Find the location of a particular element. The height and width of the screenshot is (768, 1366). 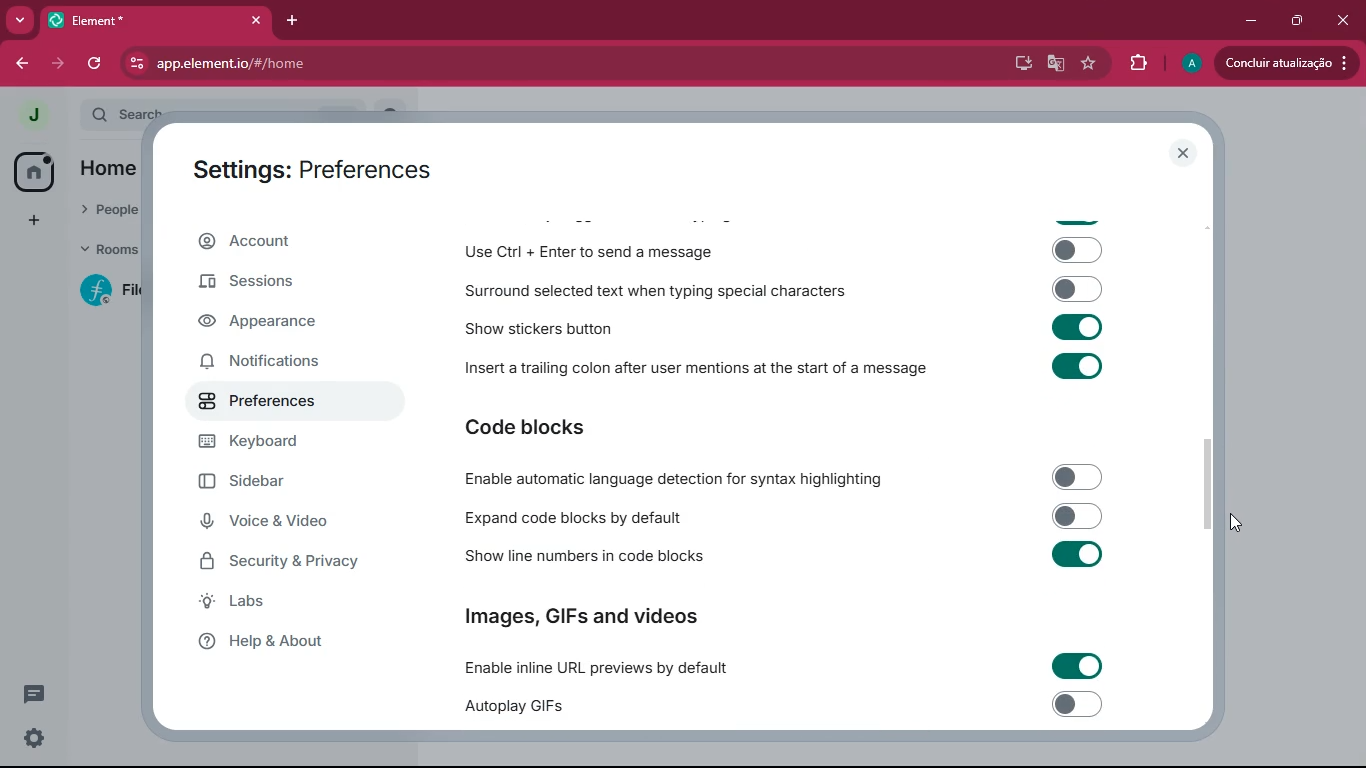

back is located at coordinates (22, 64).